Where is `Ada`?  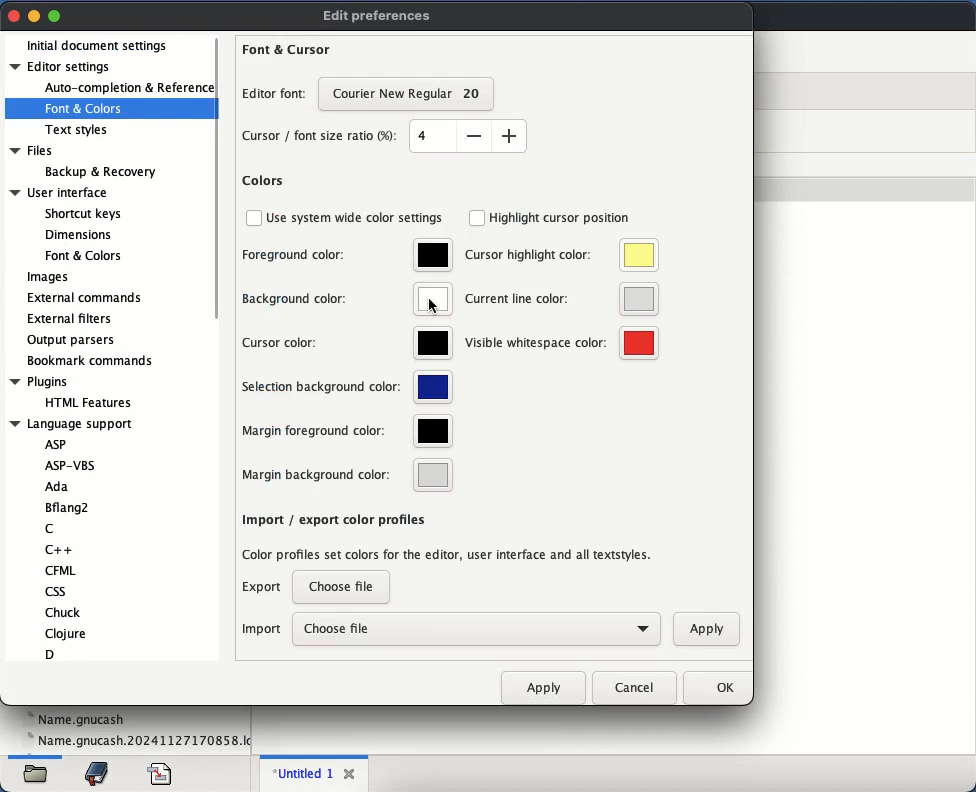 Ada is located at coordinates (57, 487).